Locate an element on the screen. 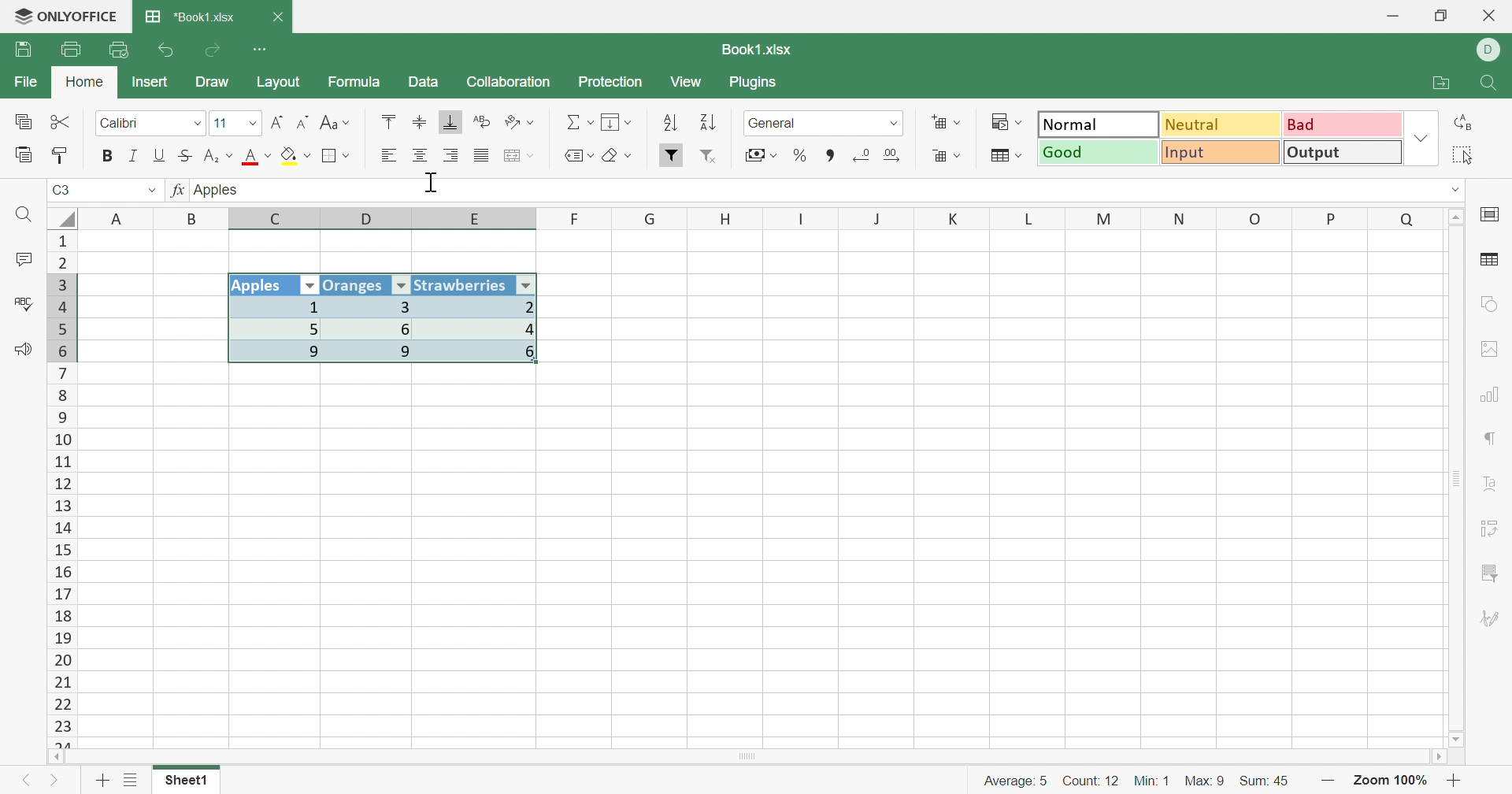 The height and width of the screenshot is (794, 1512). Drop down is located at coordinates (148, 191).